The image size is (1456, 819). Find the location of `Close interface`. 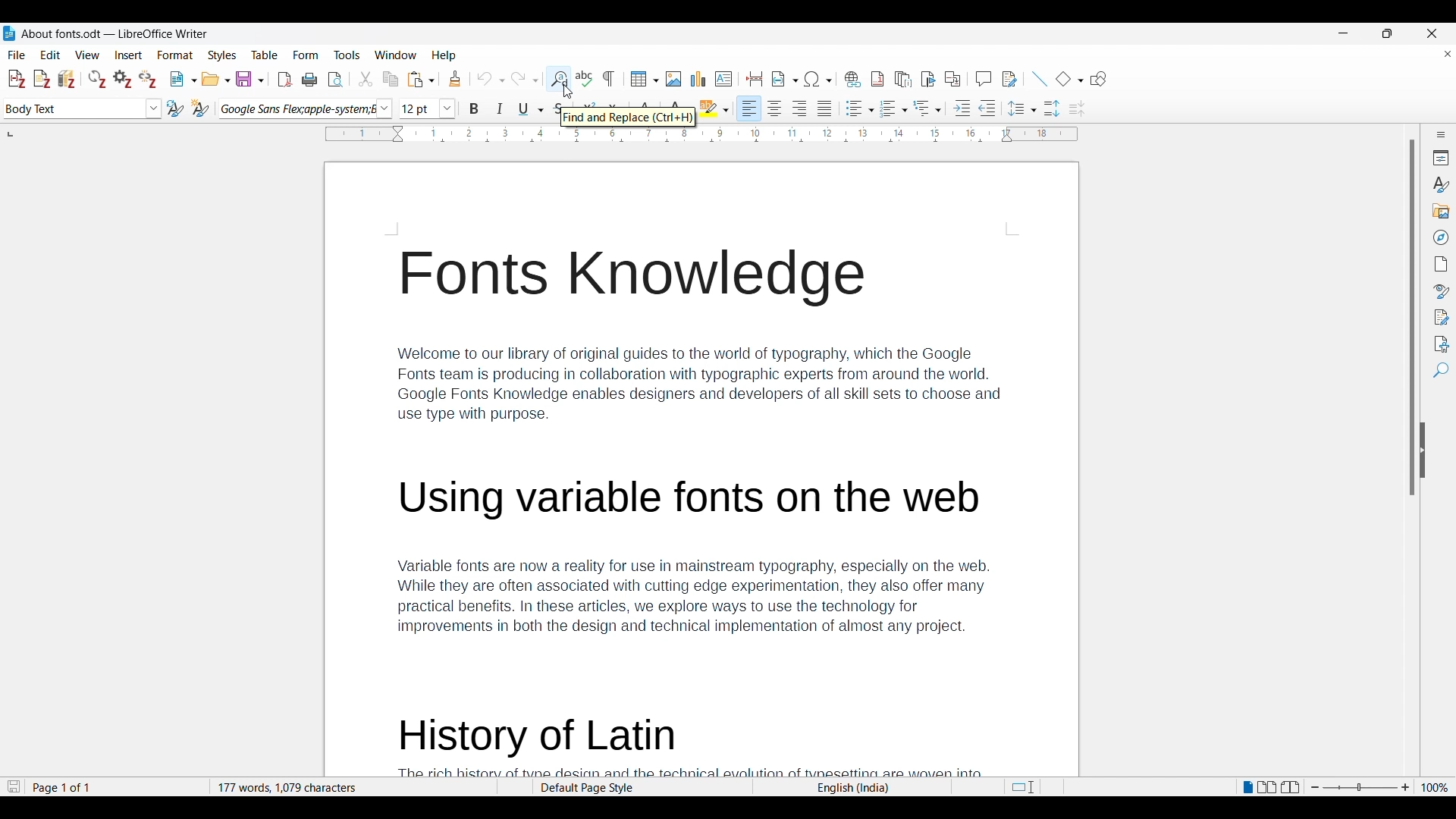

Close interface is located at coordinates (1432, 33).